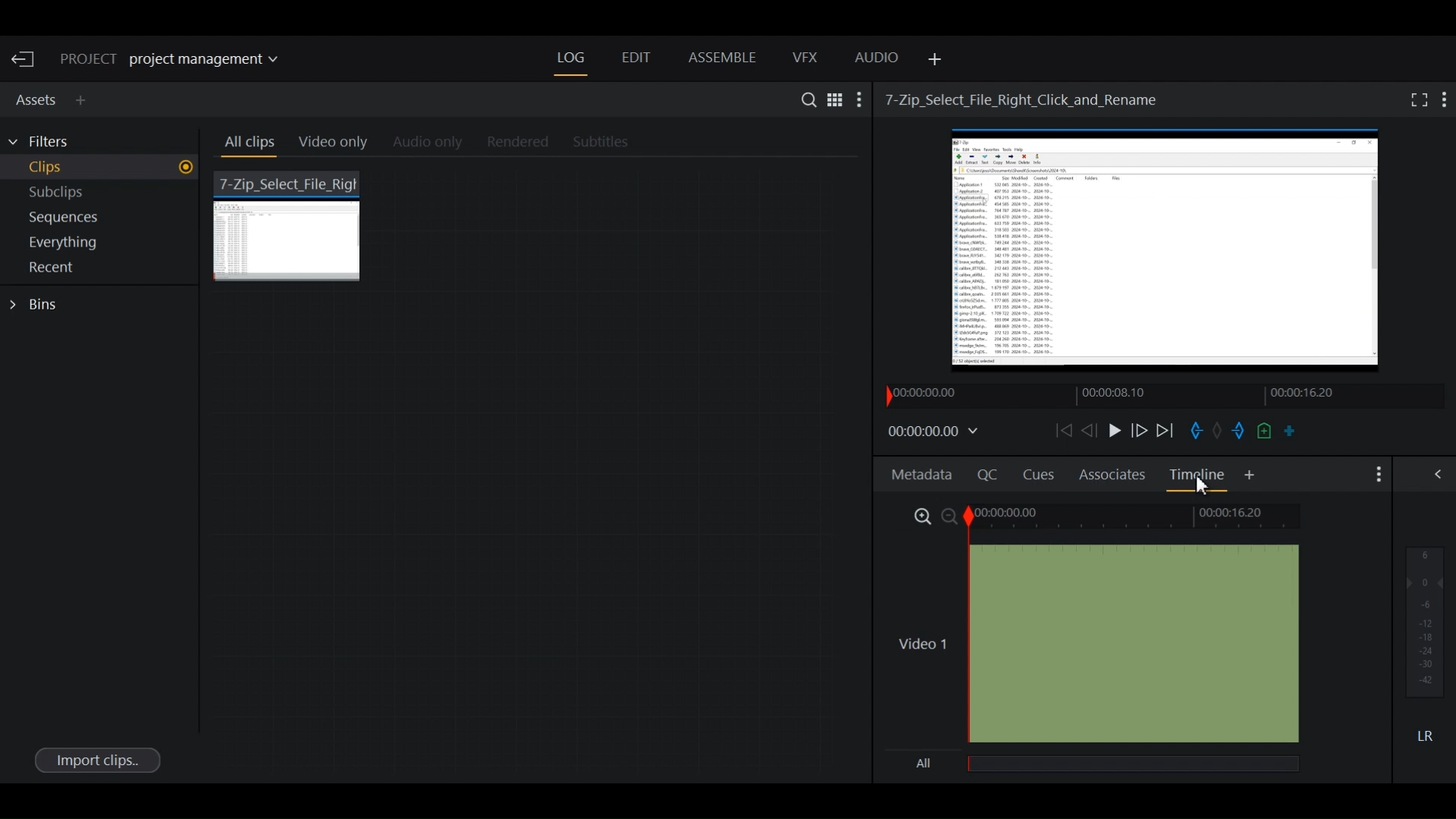 This screenshot has height=819, width=1456. I want to click on Exit Current Project, so click(26, 60).